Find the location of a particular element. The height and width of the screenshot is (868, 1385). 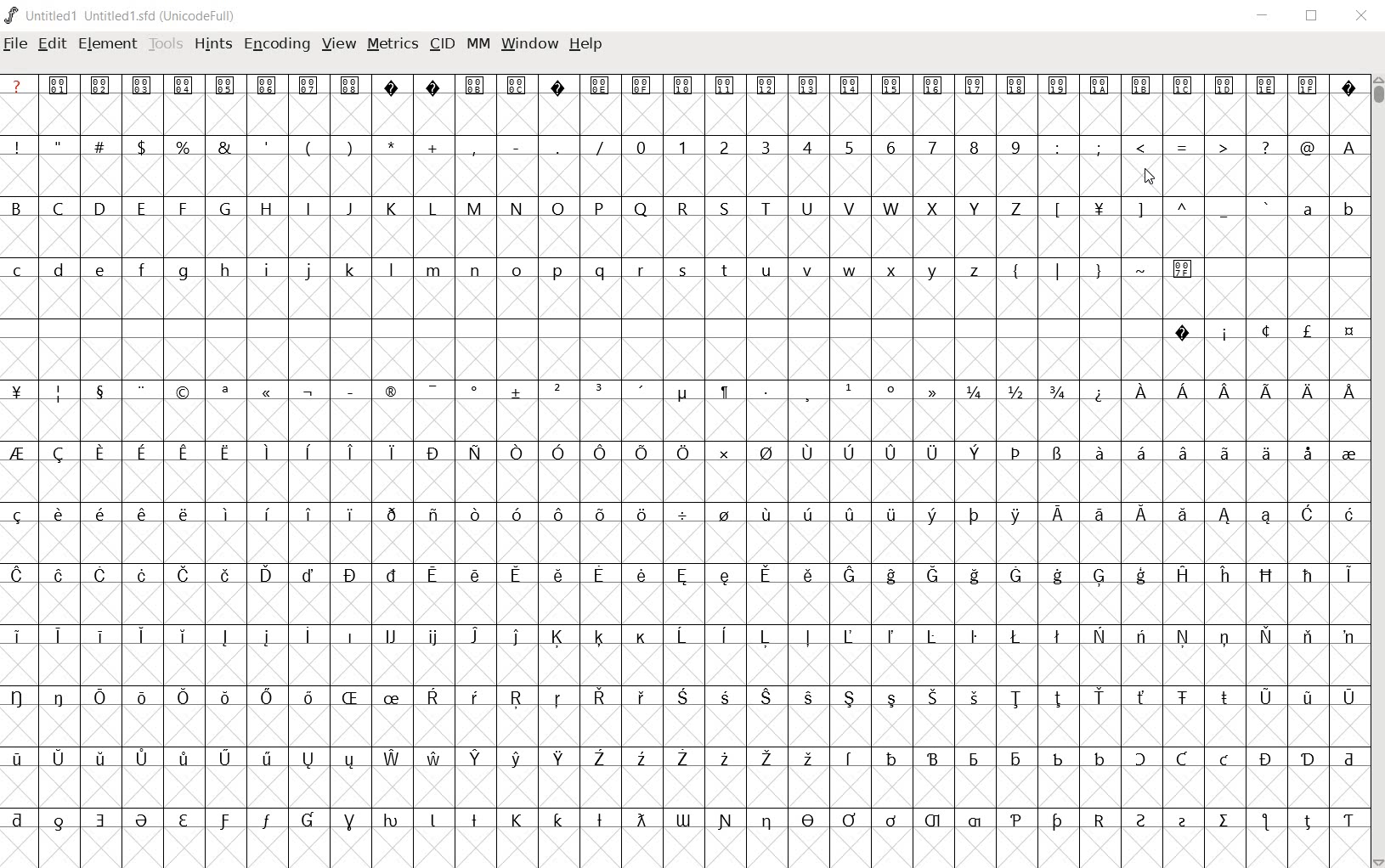

small letter c - z is located at coordinates (495, 268).